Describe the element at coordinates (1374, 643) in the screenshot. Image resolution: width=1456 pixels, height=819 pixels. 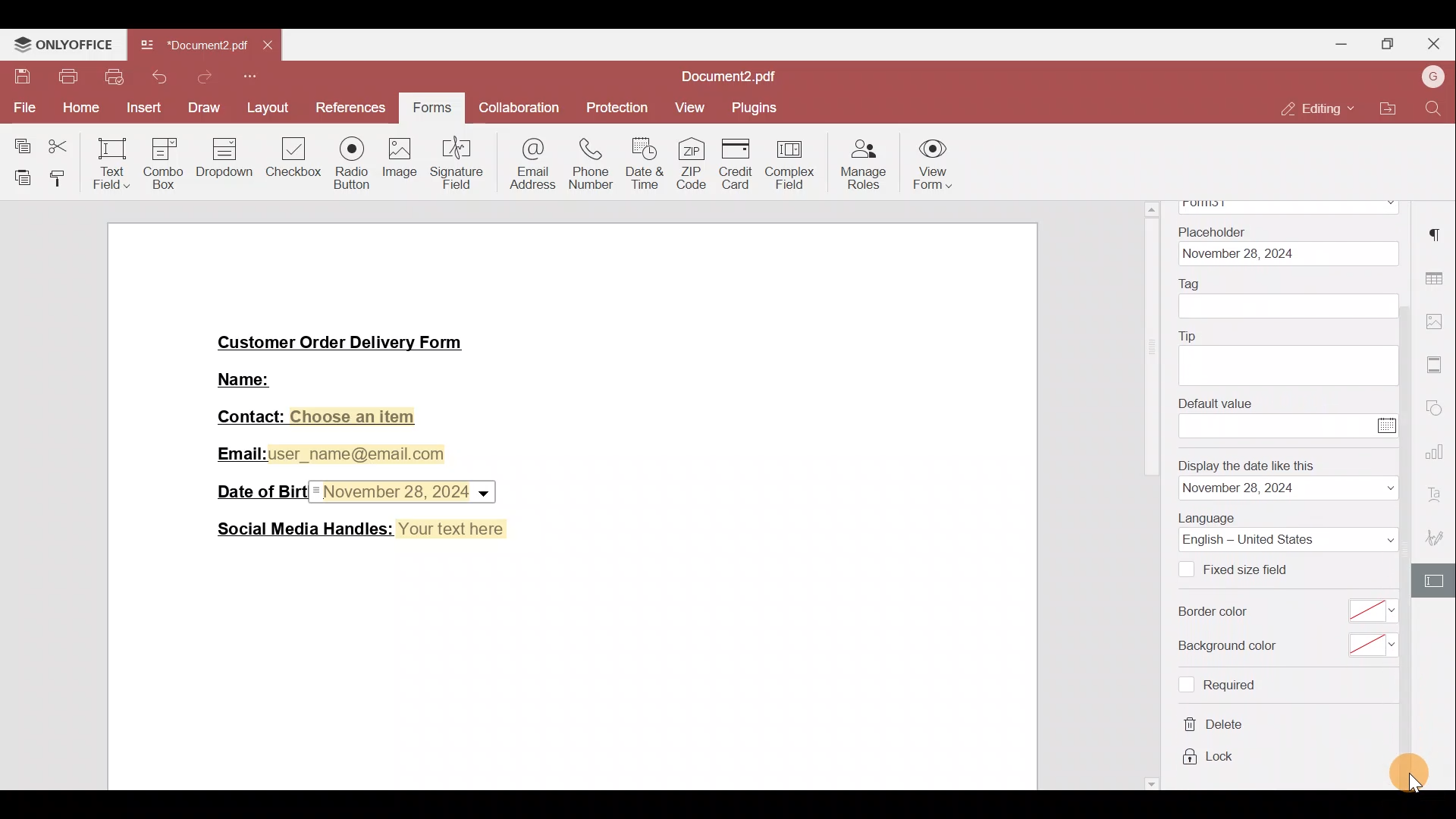
I see `select background color` at that location.